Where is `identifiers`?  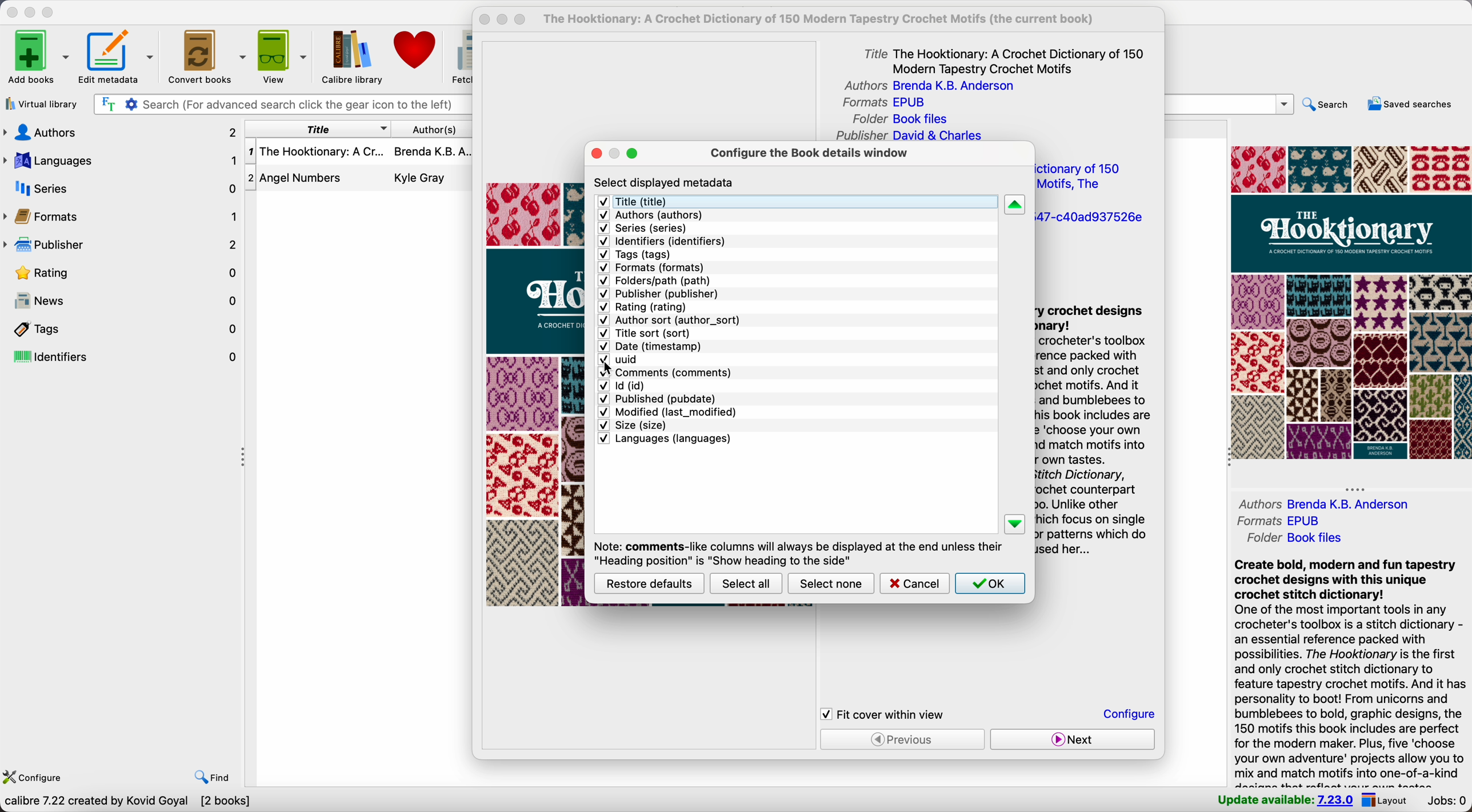 identifiers is located at coordinates (122, 358).